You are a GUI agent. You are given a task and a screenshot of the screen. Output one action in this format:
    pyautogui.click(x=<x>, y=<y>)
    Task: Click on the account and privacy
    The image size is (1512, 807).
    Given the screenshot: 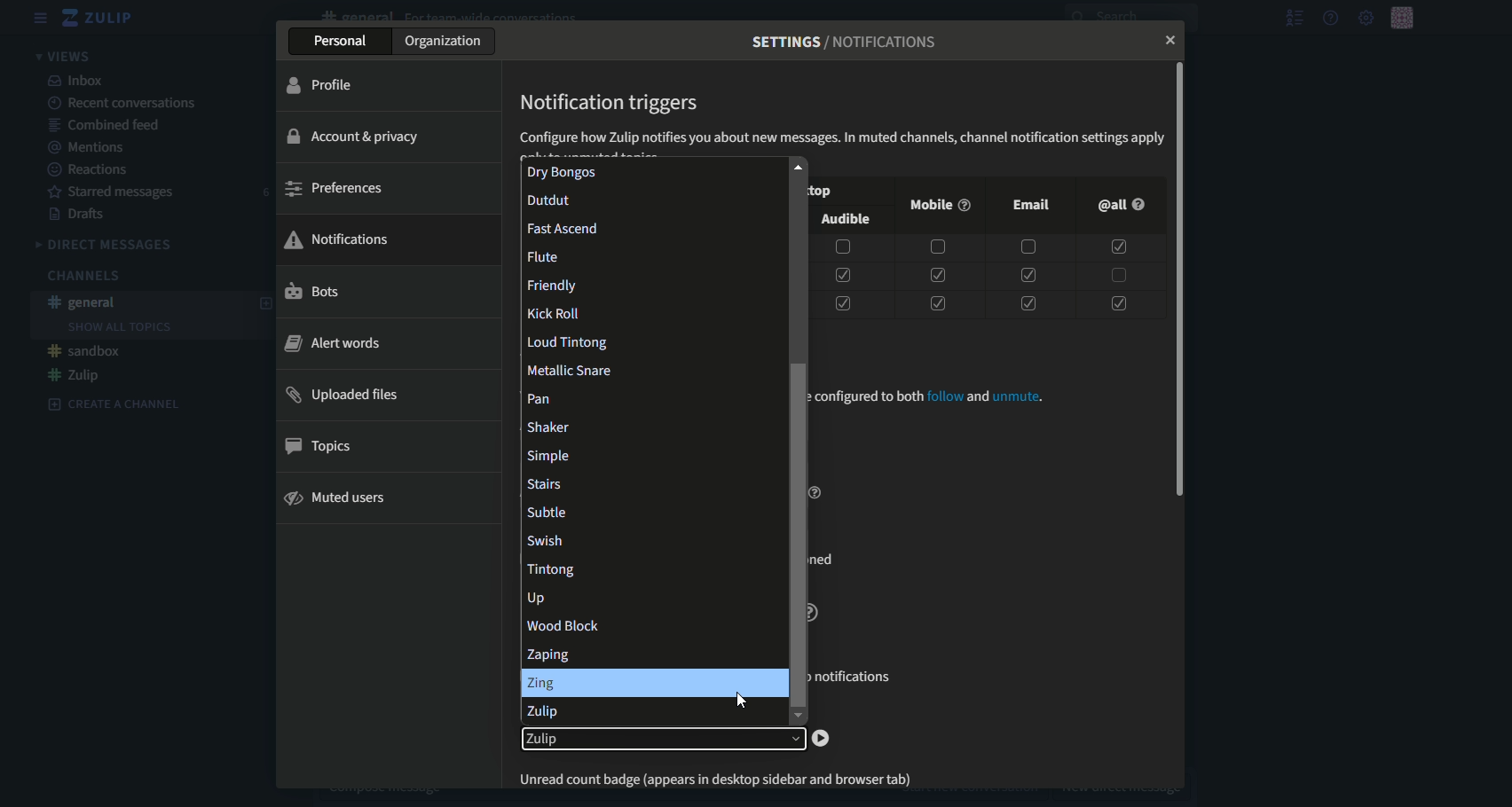 What is the action you would take?
    pyautogui.click(x=359, y=136)
    